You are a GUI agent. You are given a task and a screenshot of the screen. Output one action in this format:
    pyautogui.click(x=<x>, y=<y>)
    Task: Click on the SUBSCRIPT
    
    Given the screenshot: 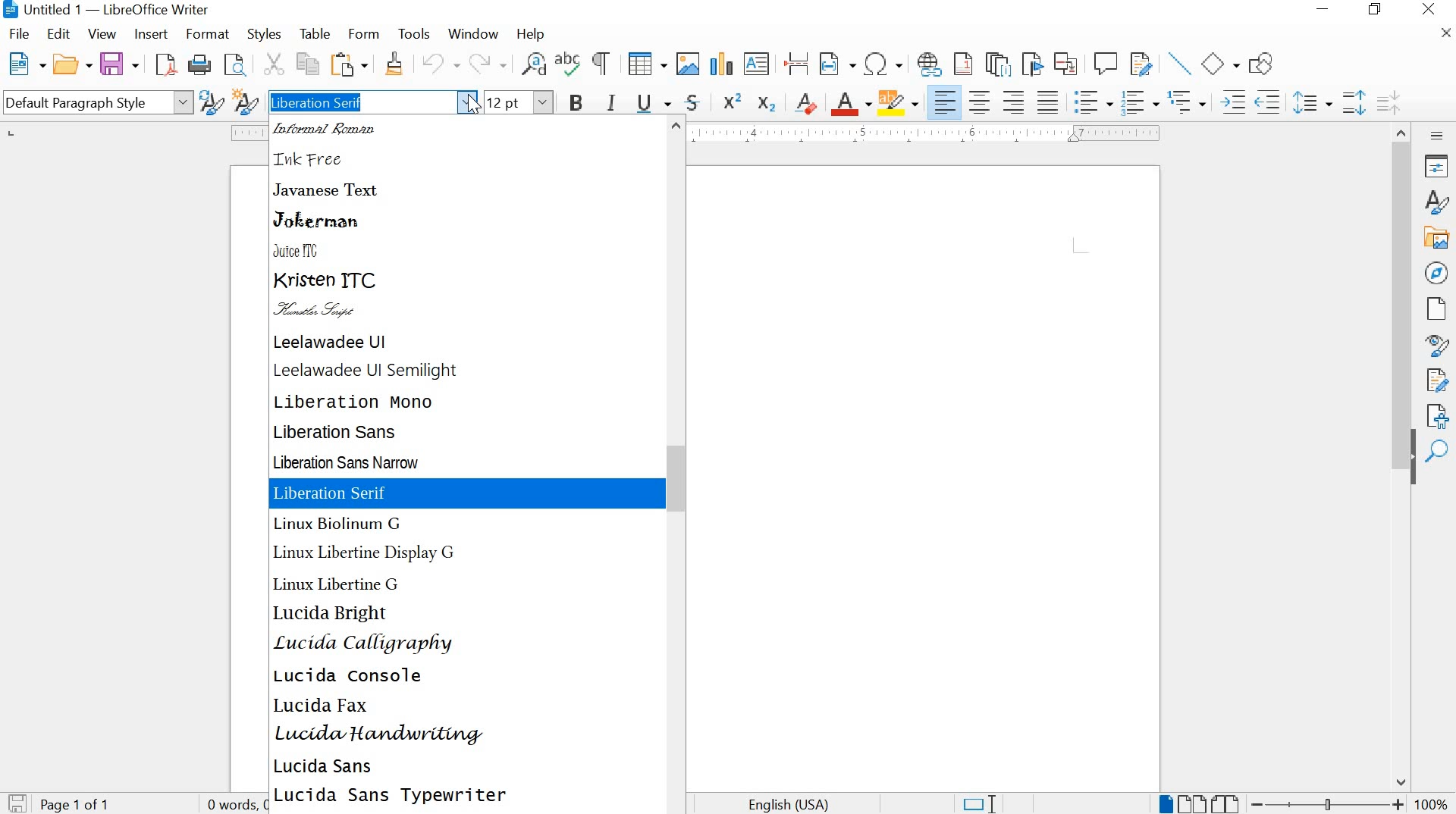 What is the action you would take?
    pyautogui.click(x=767, y=102)
    